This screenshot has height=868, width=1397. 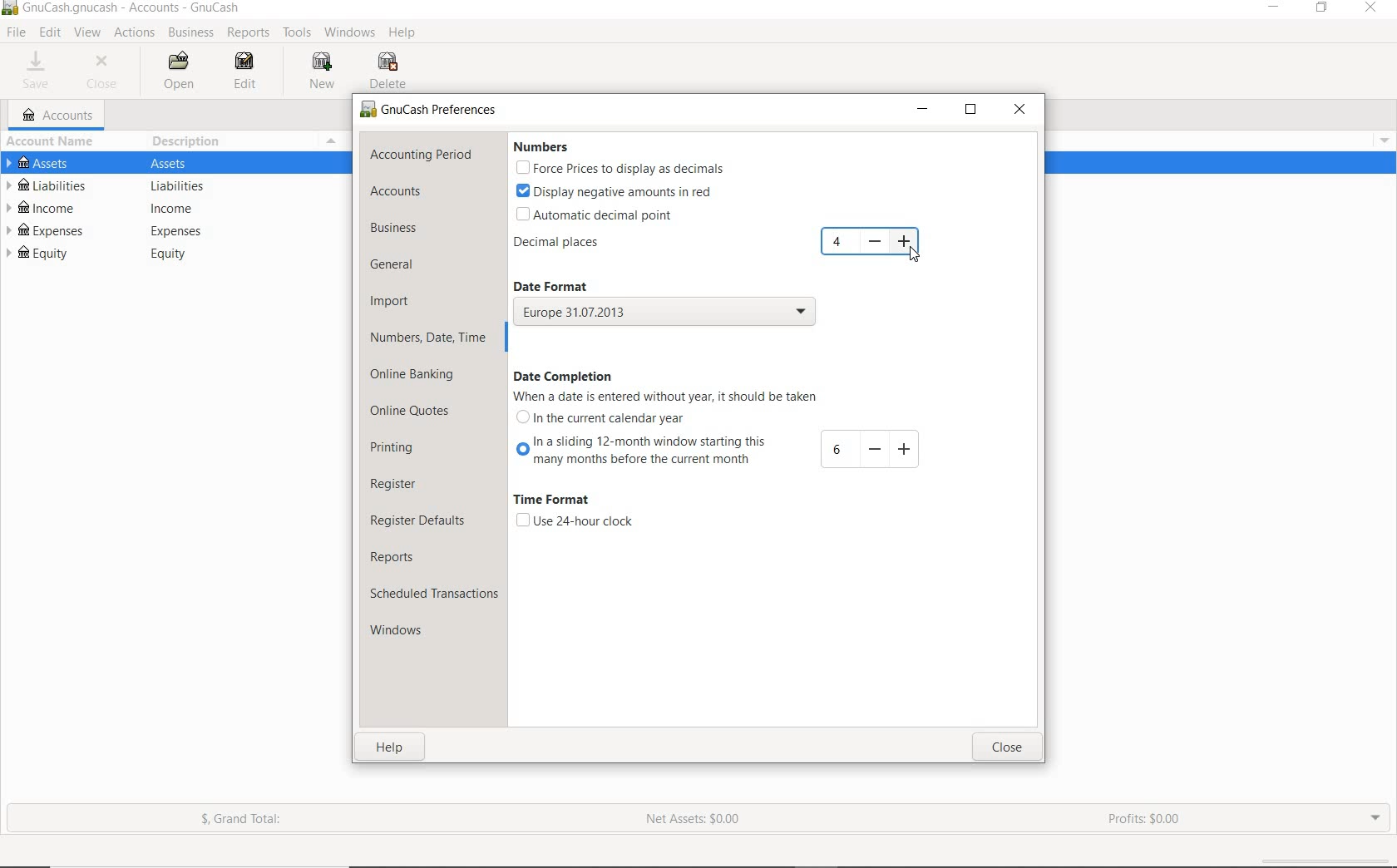 What do you see at coordinates (422, 377) in the screenshot?
I see `online banking` at bounding box center [422, 377].